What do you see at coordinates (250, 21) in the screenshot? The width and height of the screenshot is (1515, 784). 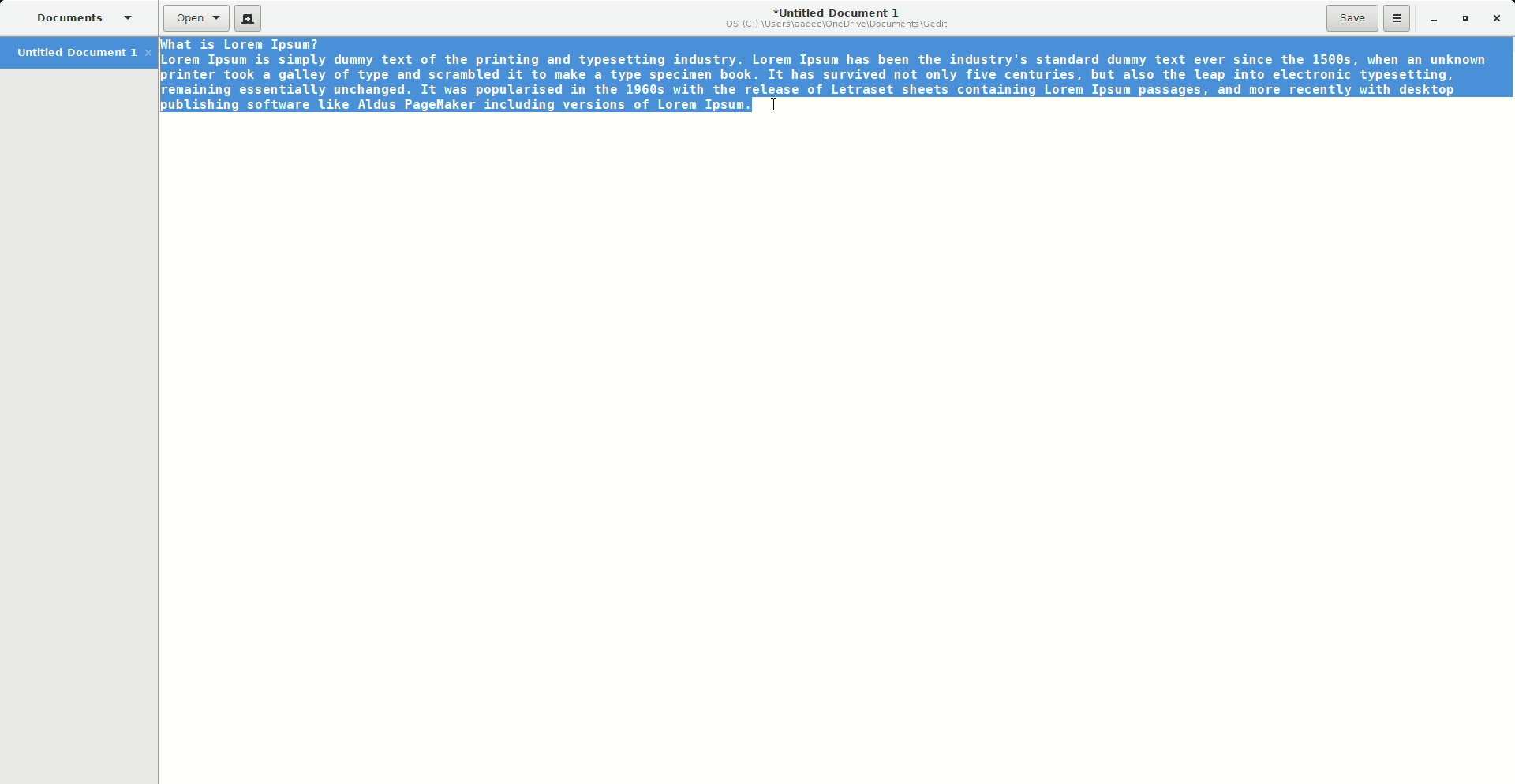 I see `New` at bounding box center [250, 21].